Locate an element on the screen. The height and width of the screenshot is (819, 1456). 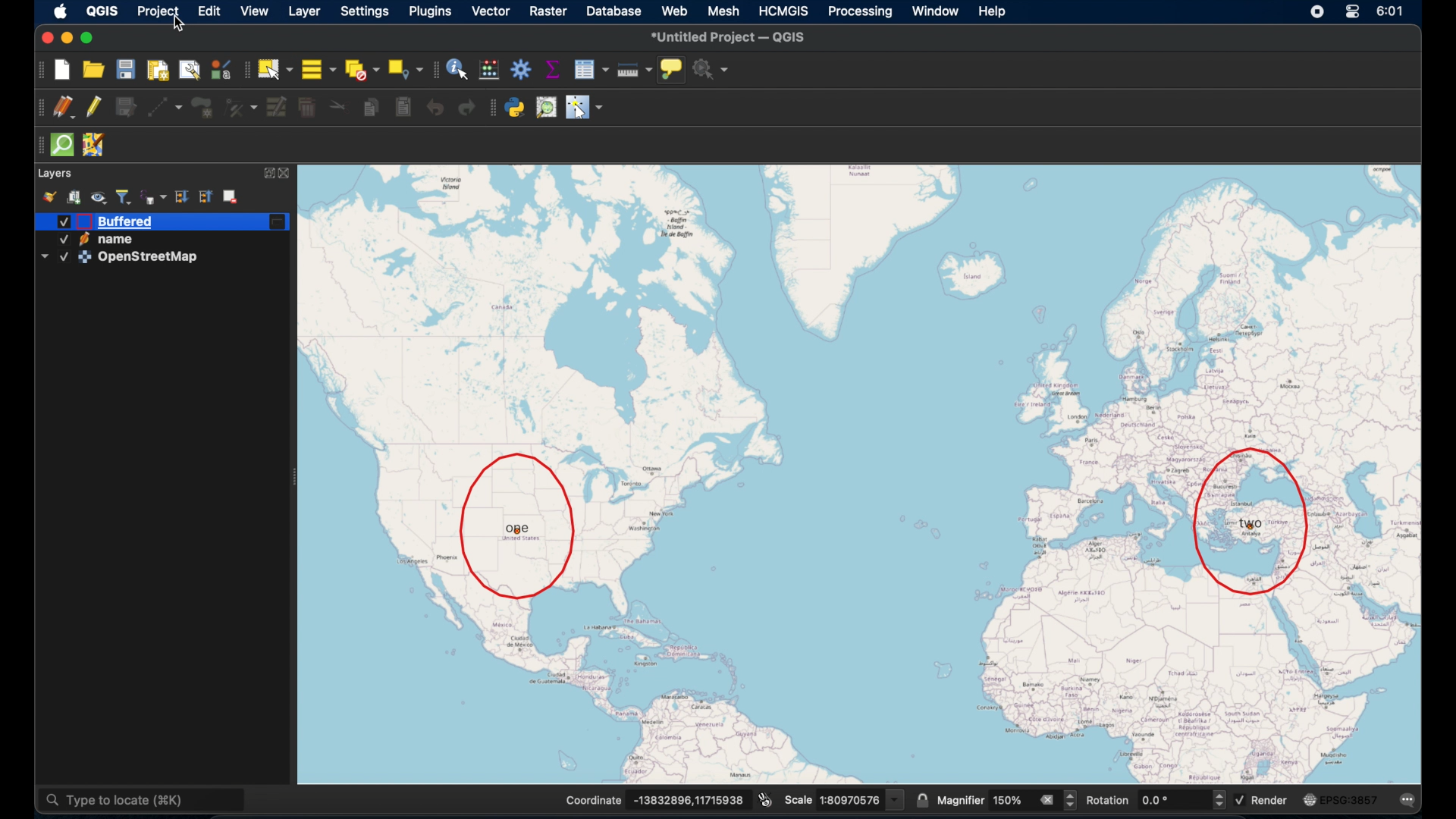
icon is located at coordinates (1309, 800).